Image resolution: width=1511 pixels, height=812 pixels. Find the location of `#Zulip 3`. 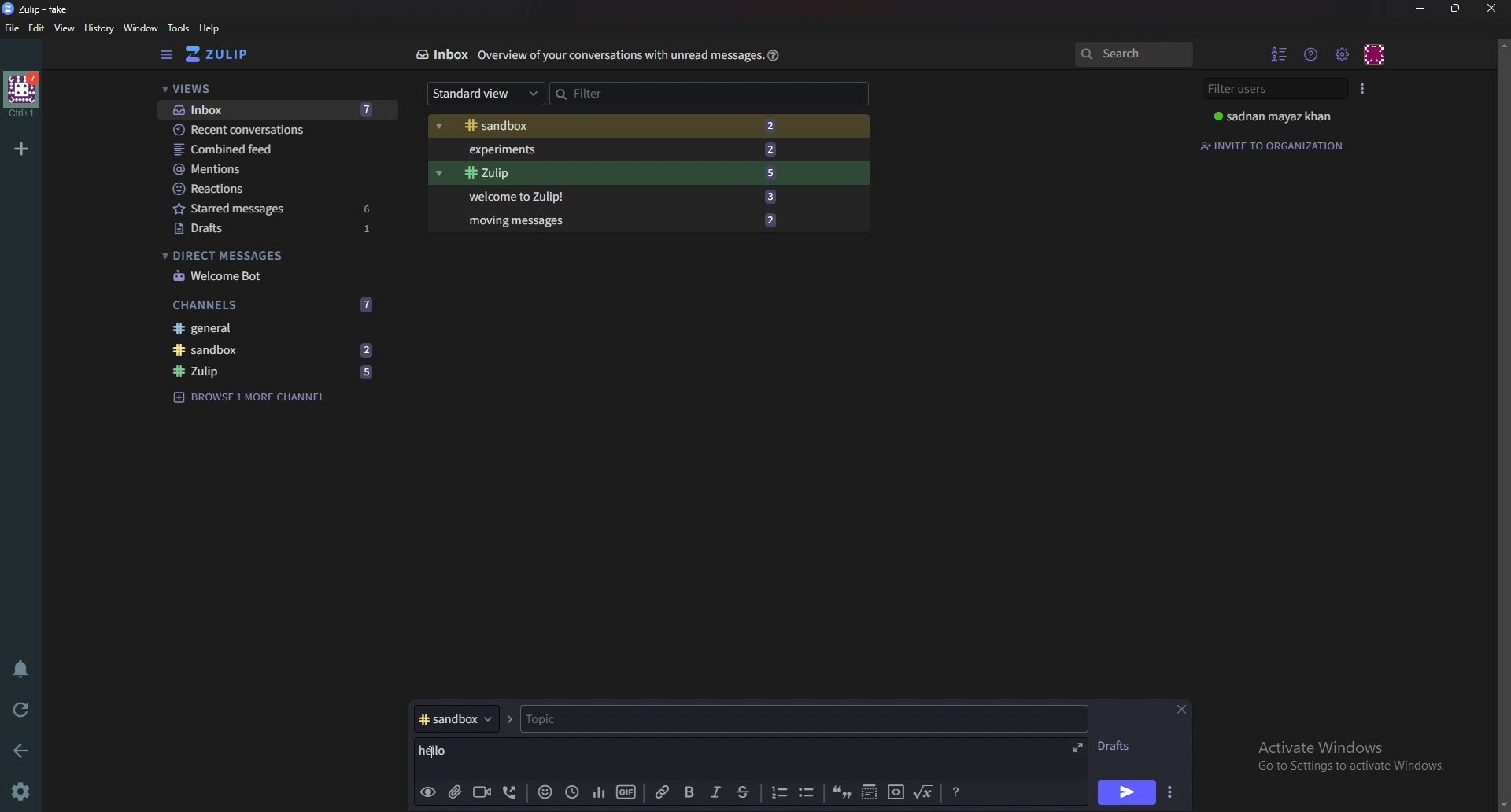

#Zulip 3 is located at coordinates (620, 173).